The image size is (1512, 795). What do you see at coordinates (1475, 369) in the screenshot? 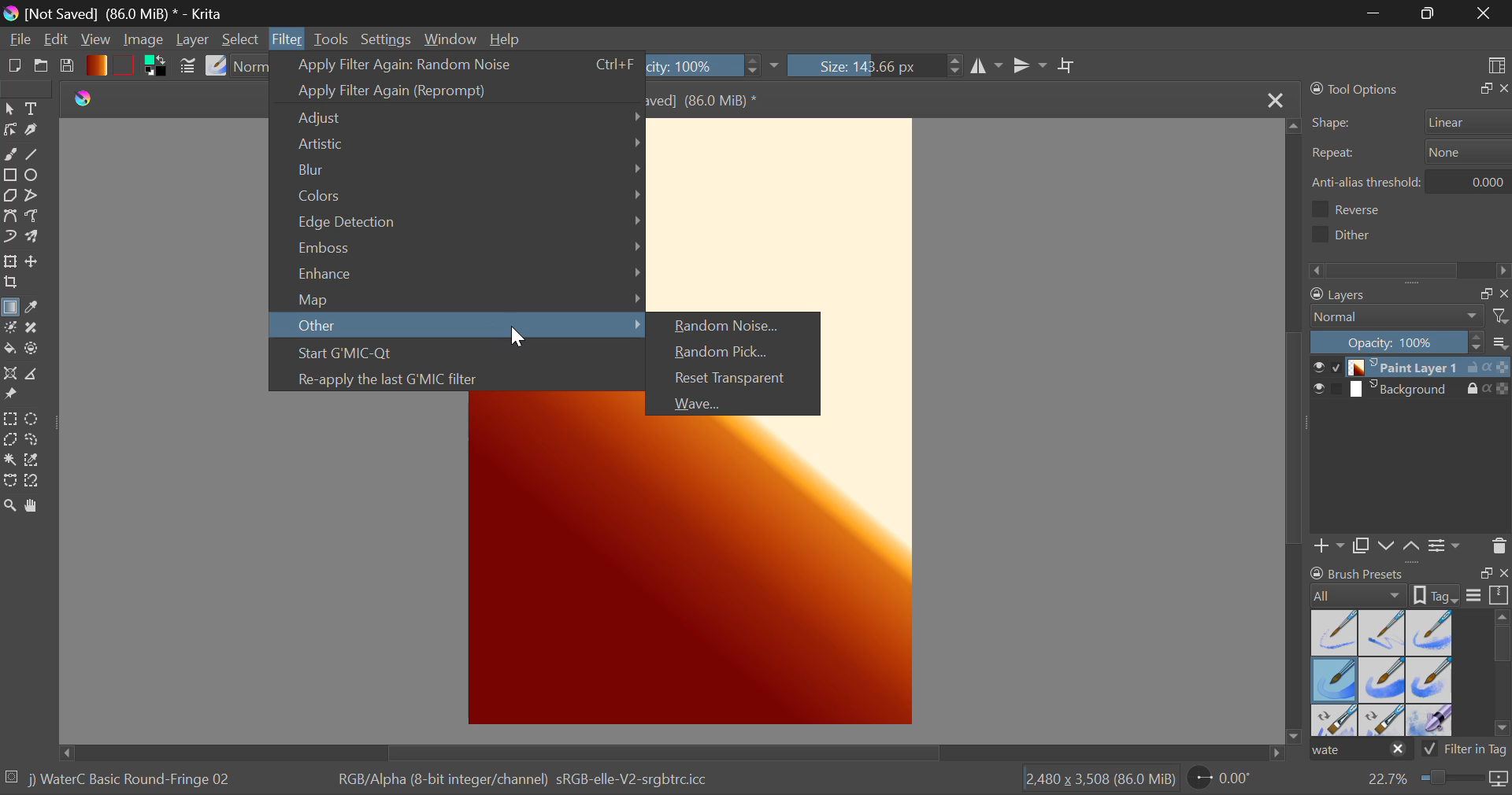
I see `lock` at bounding box center [1475, 369].